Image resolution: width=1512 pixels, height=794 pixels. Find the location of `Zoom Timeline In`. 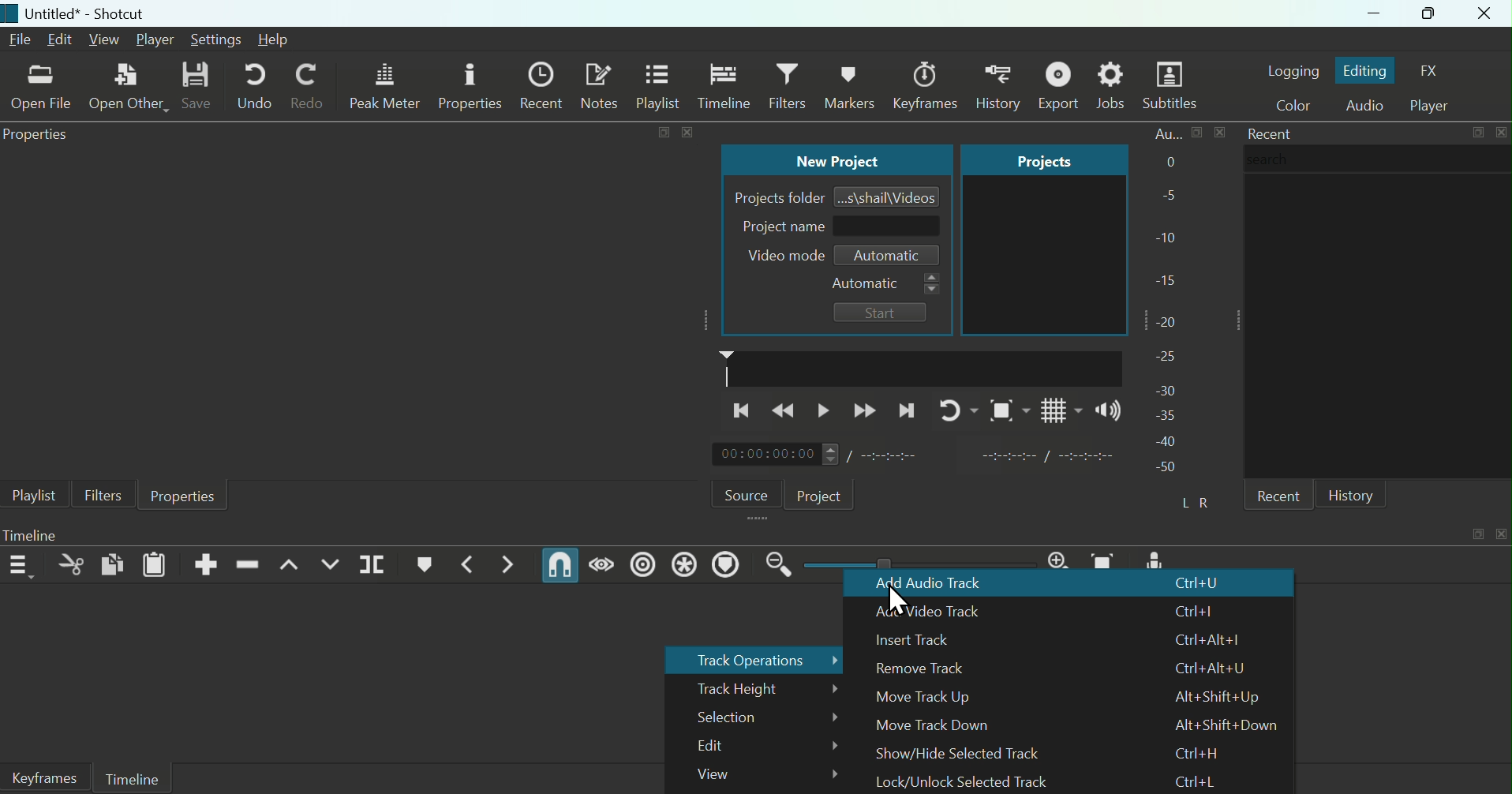

Zoom Timeline In is located at coordinates (1057, 559).